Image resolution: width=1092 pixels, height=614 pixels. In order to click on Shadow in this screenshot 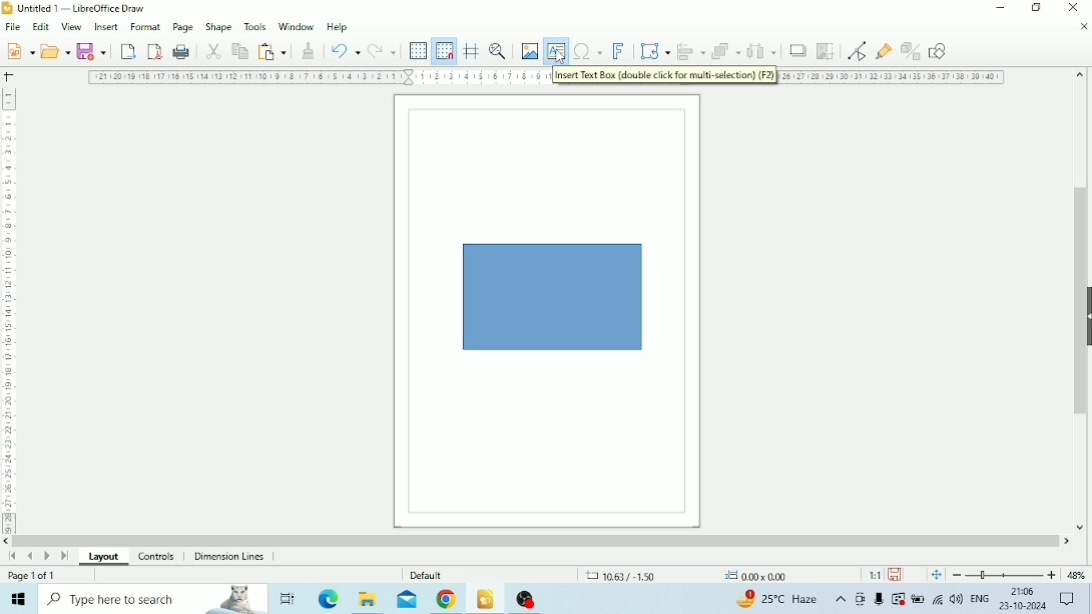, I will do `click(799, 50)`.